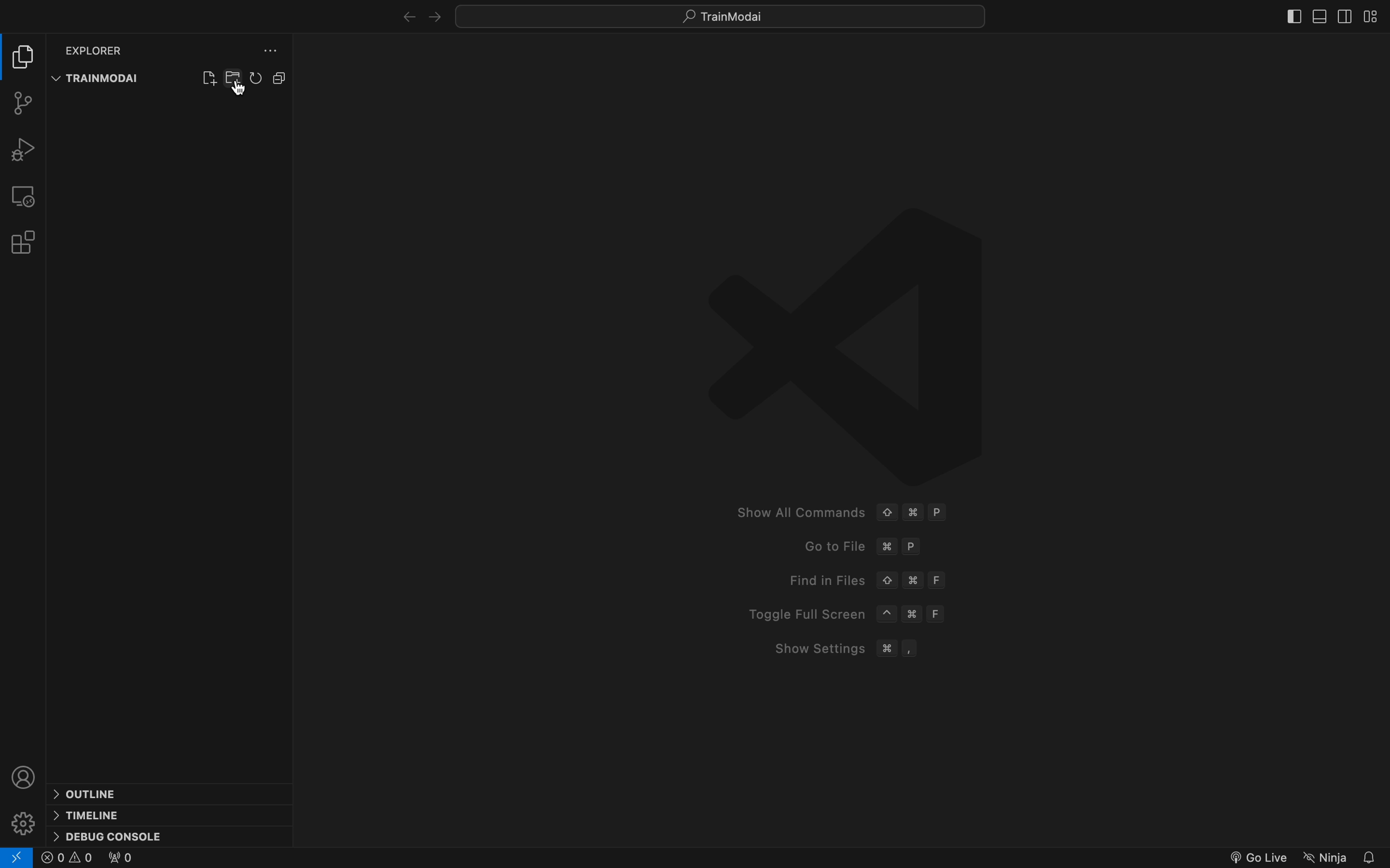 This screenshot has height=868, width=1390. Describe the element at coordinates (839, 649) in the screenshot. I see `Show settings` at that location.